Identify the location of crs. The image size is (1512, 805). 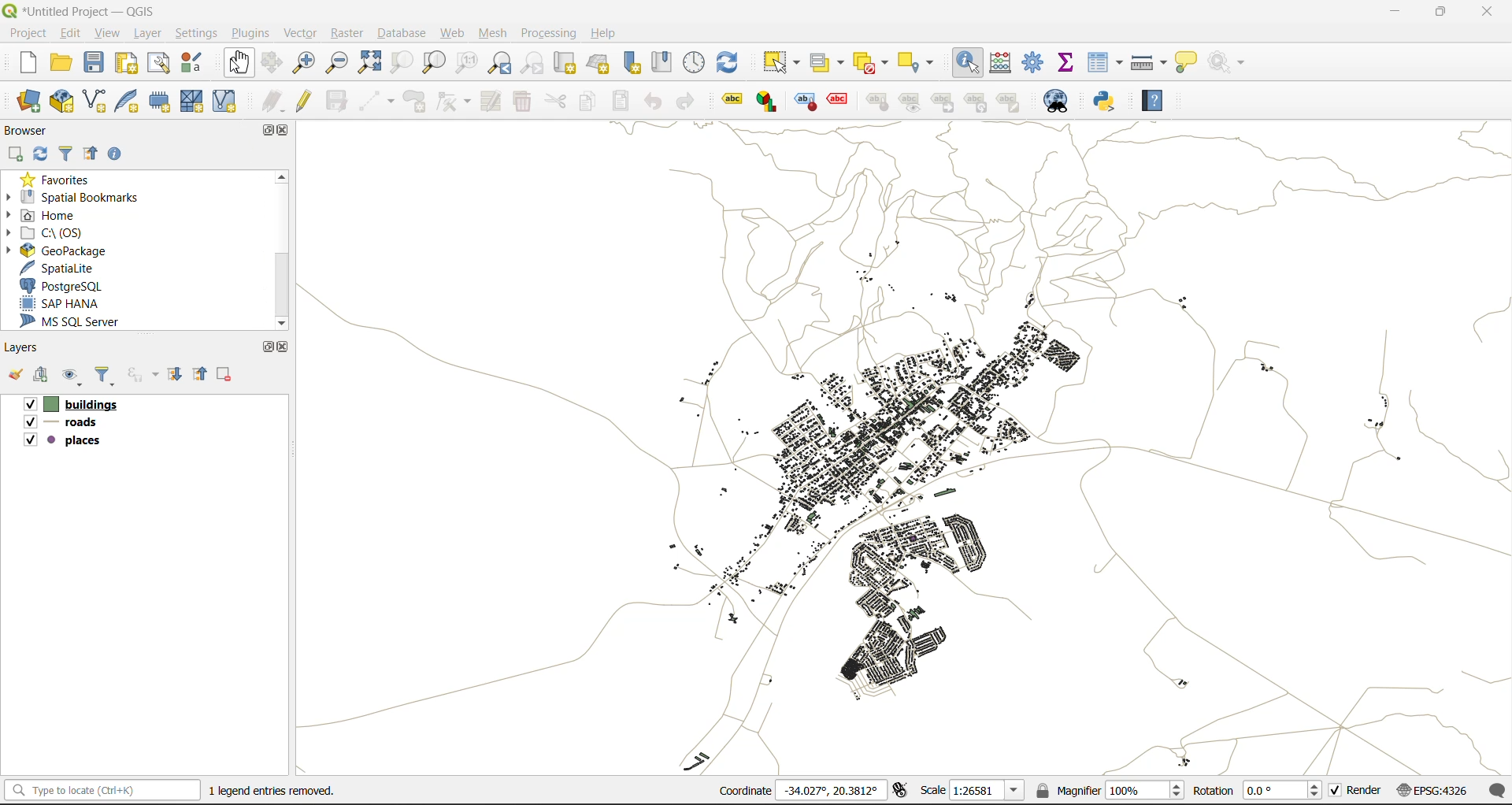
(1437, 790).